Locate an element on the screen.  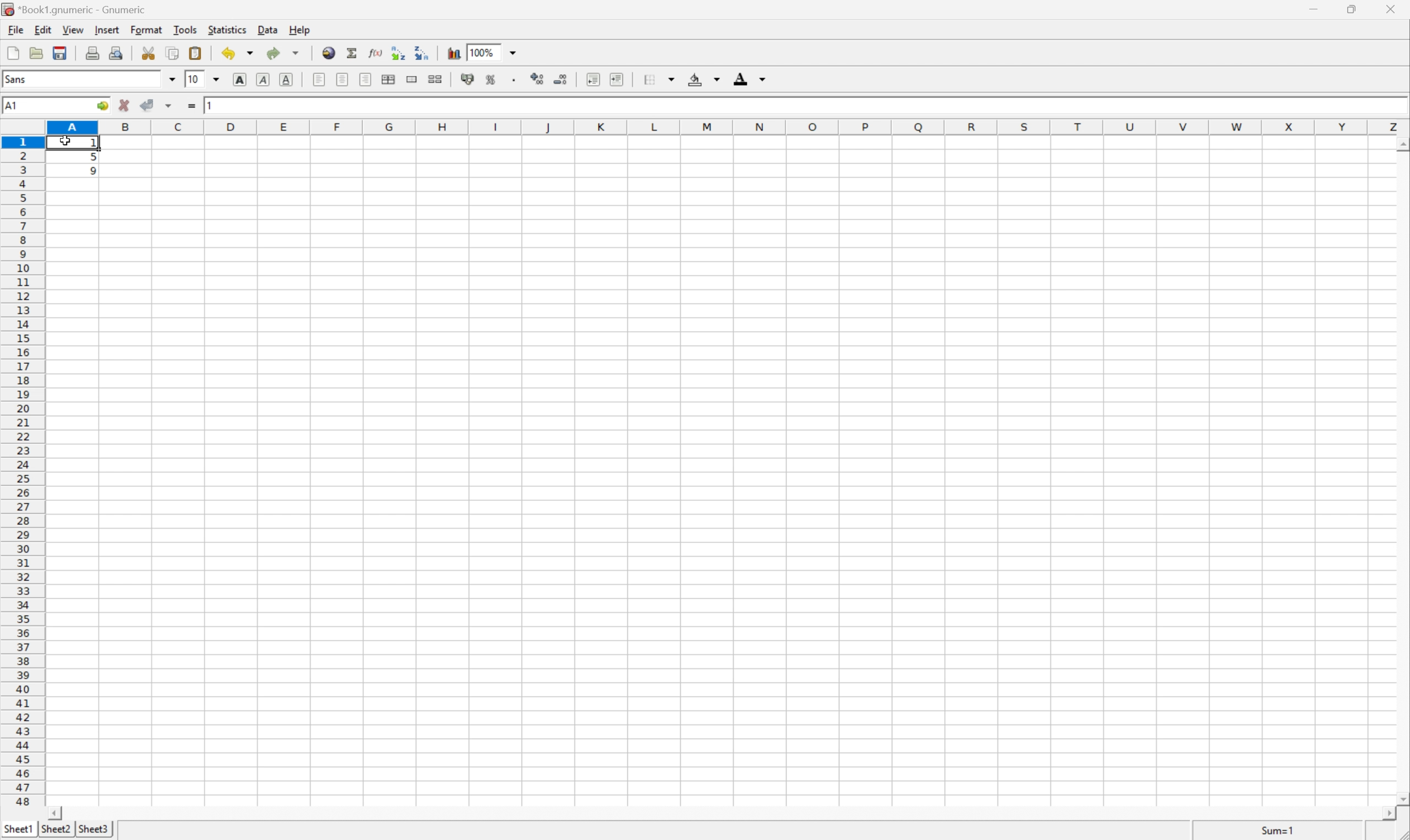
scroll down is located at coordinates (1401, 798).